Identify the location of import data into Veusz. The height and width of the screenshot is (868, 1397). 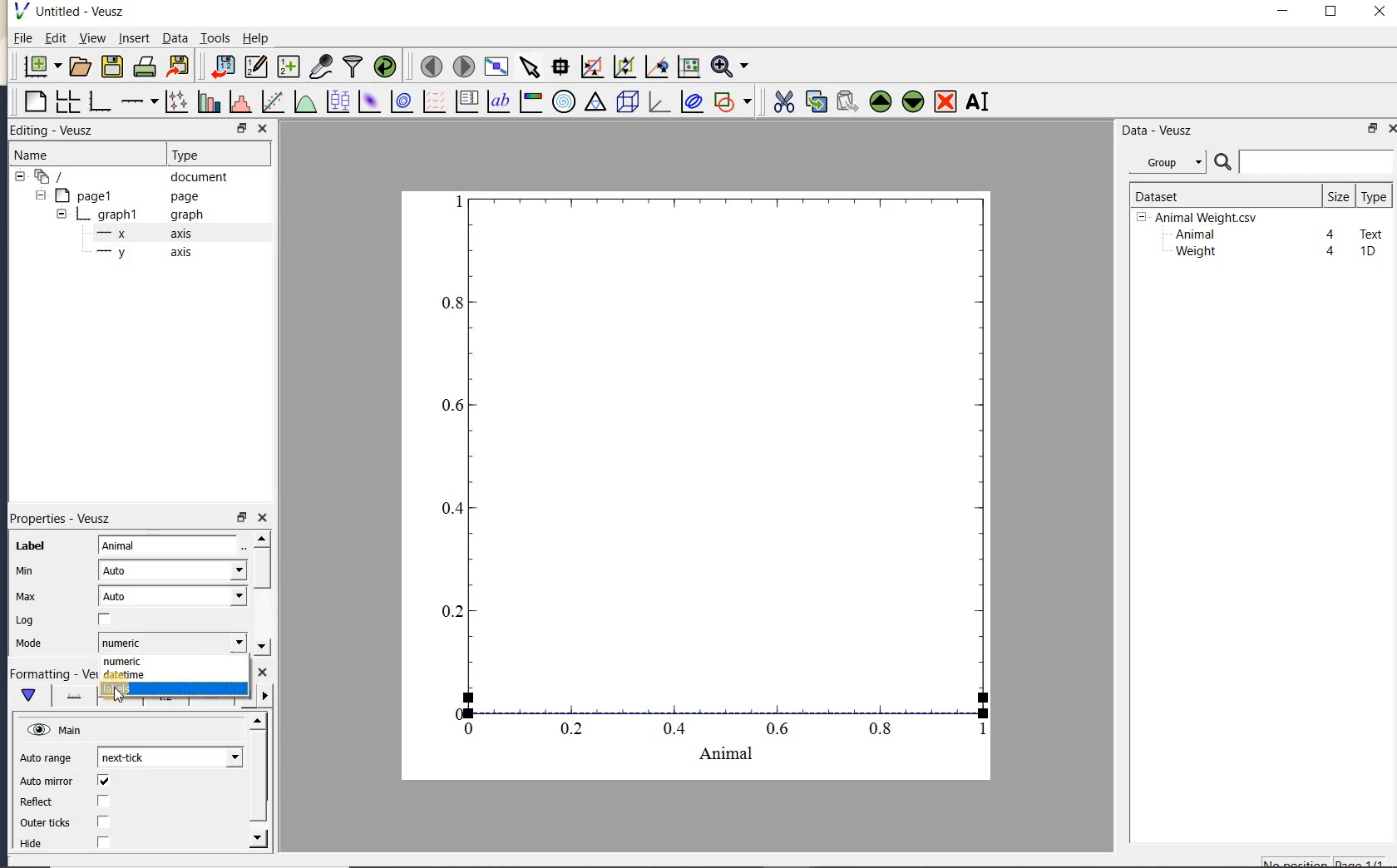
(223, 67).